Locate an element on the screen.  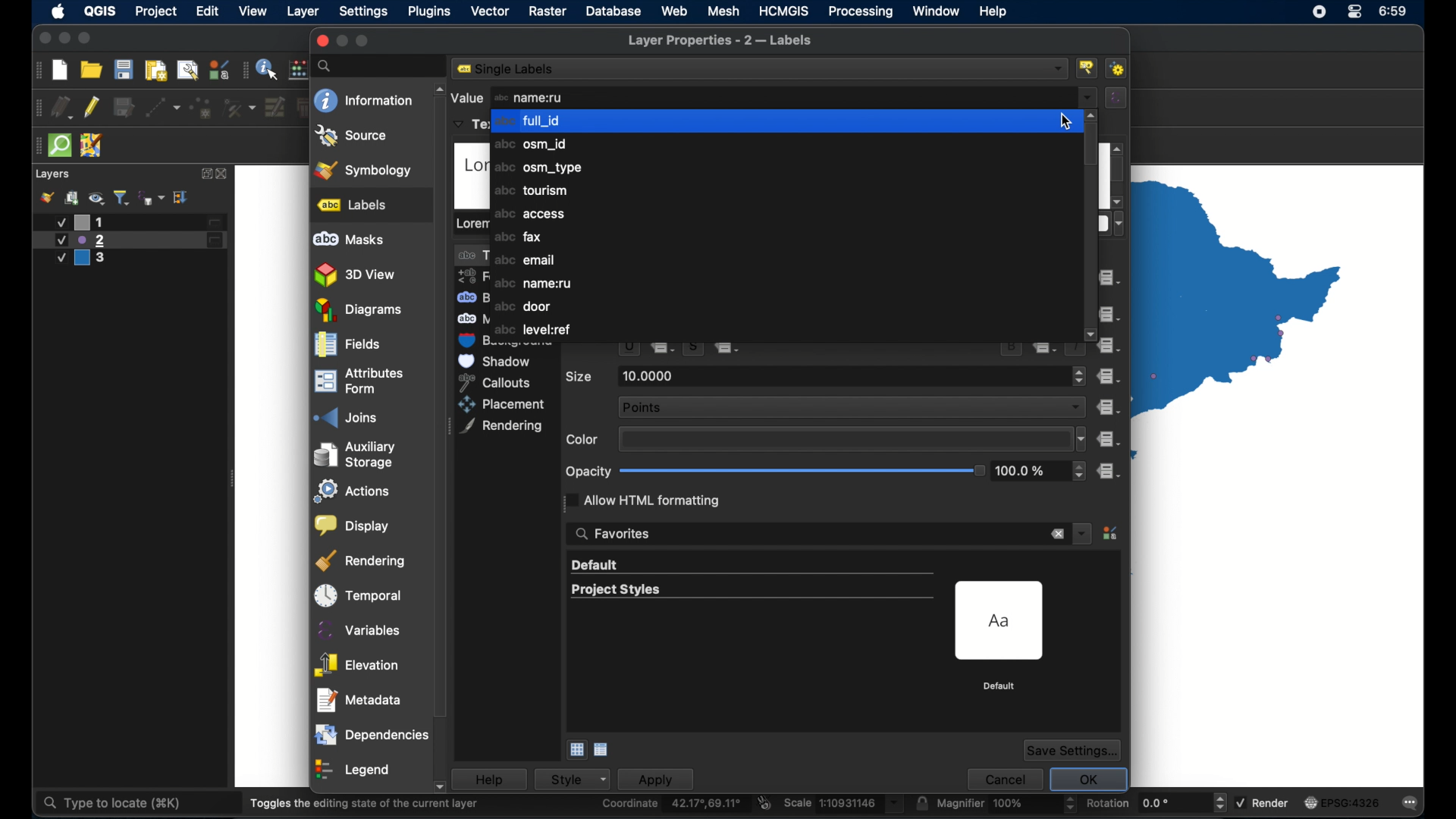
cancel is located at coordinates (1003, 777).